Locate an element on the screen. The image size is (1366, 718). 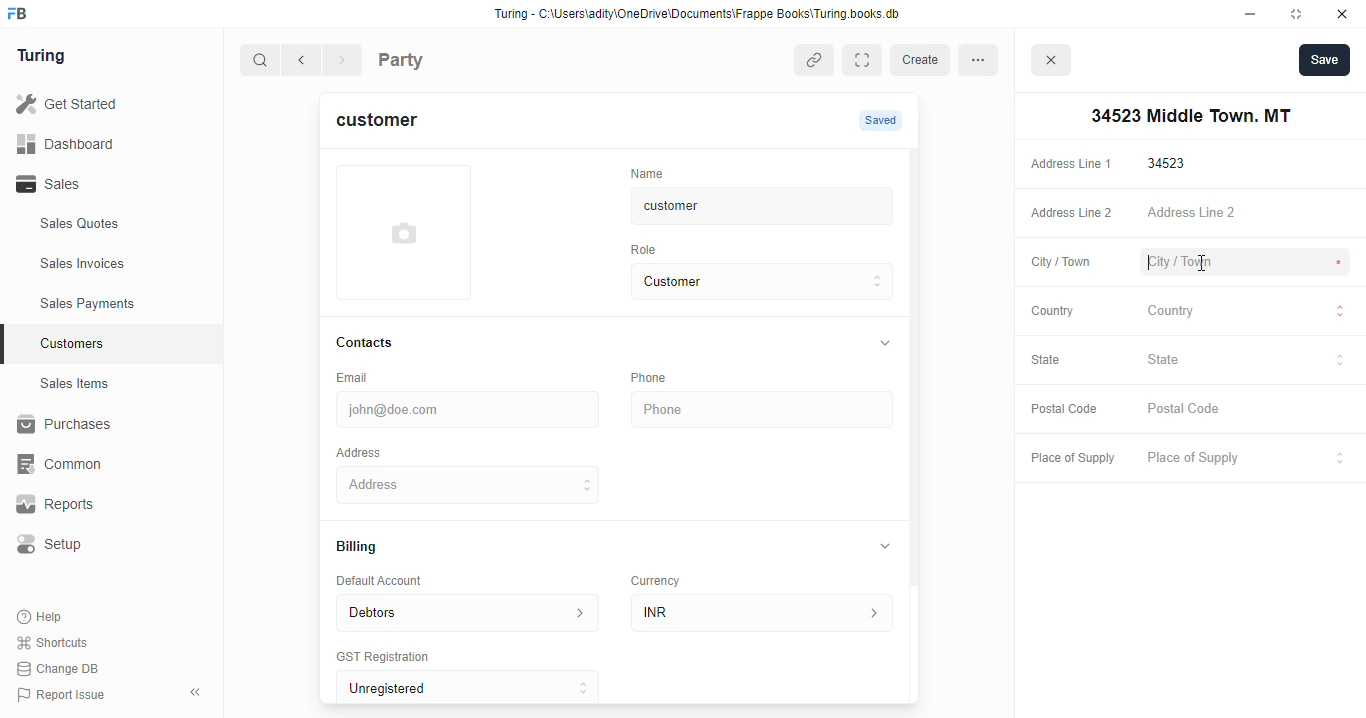
copy link is located at coordinates (816, 62).